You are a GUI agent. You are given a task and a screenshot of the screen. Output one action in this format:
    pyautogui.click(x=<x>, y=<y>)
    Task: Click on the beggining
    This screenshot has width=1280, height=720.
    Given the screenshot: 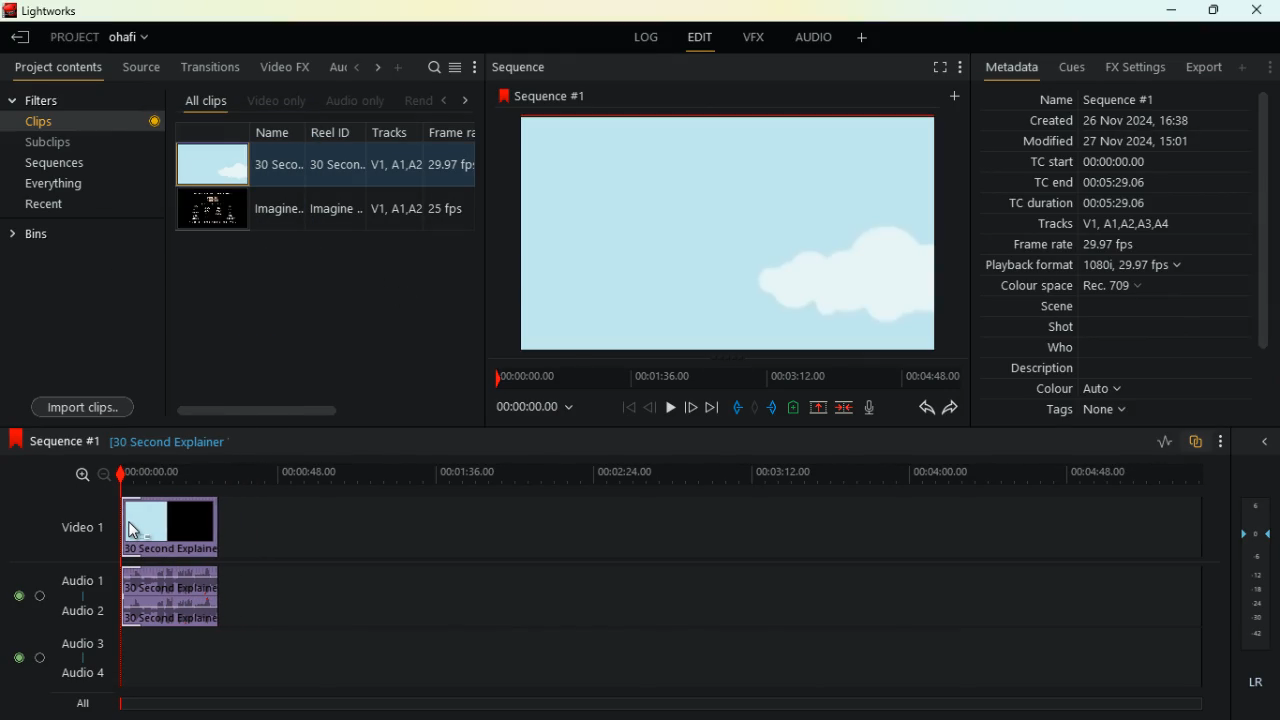 What is the action you would take?
    pyautogui.click(x=624, y=407)
    